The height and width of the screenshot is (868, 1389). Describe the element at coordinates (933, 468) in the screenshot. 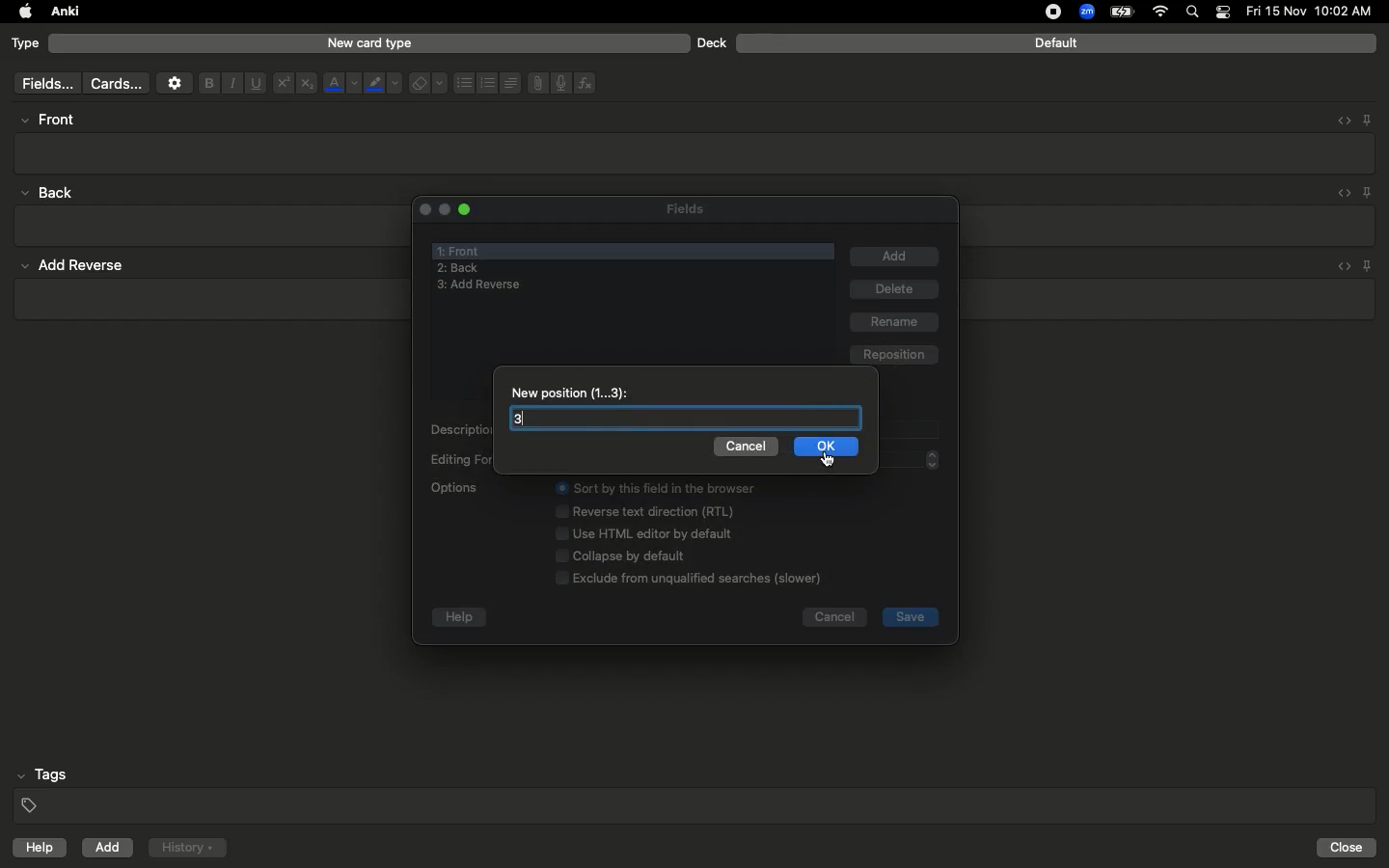

I see `page up` at that location.